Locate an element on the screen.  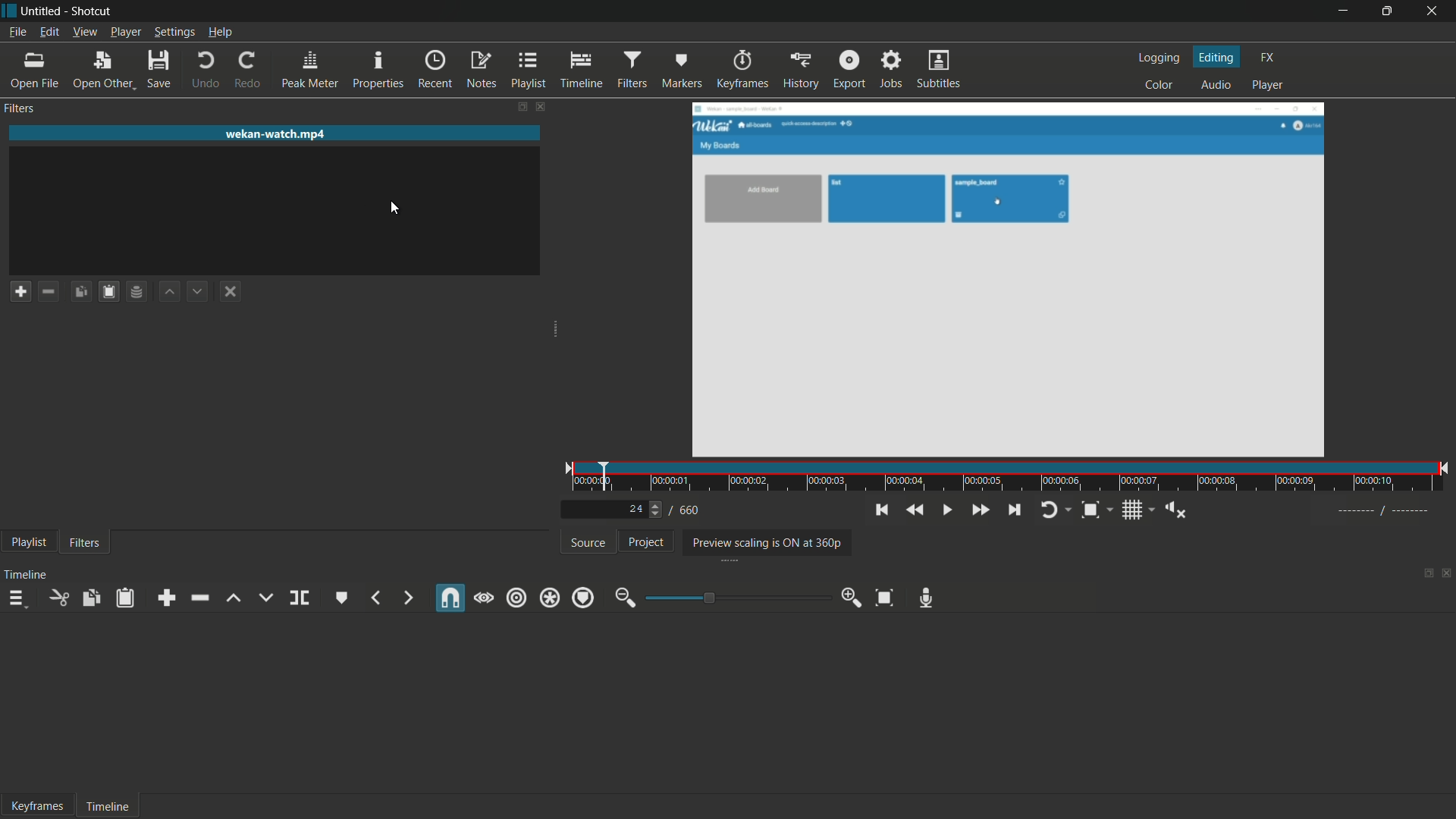
remove a filter is located at coordinates (47, 291).